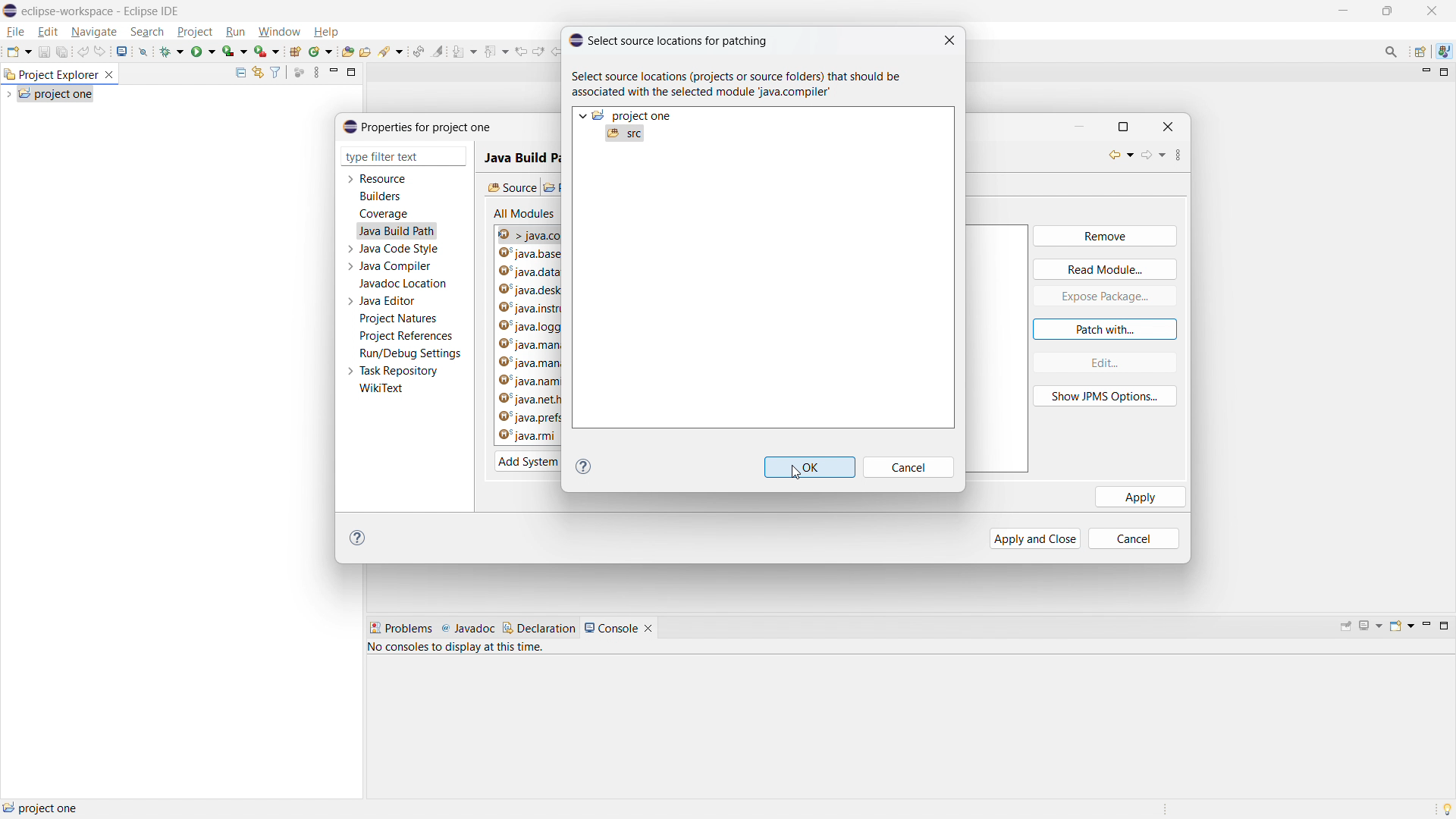 This screenshot has height=819, width=1456. What do you see at coordinates (539, 628) in the screenshot?
I see `declaration` at bounding box center [539, 628].